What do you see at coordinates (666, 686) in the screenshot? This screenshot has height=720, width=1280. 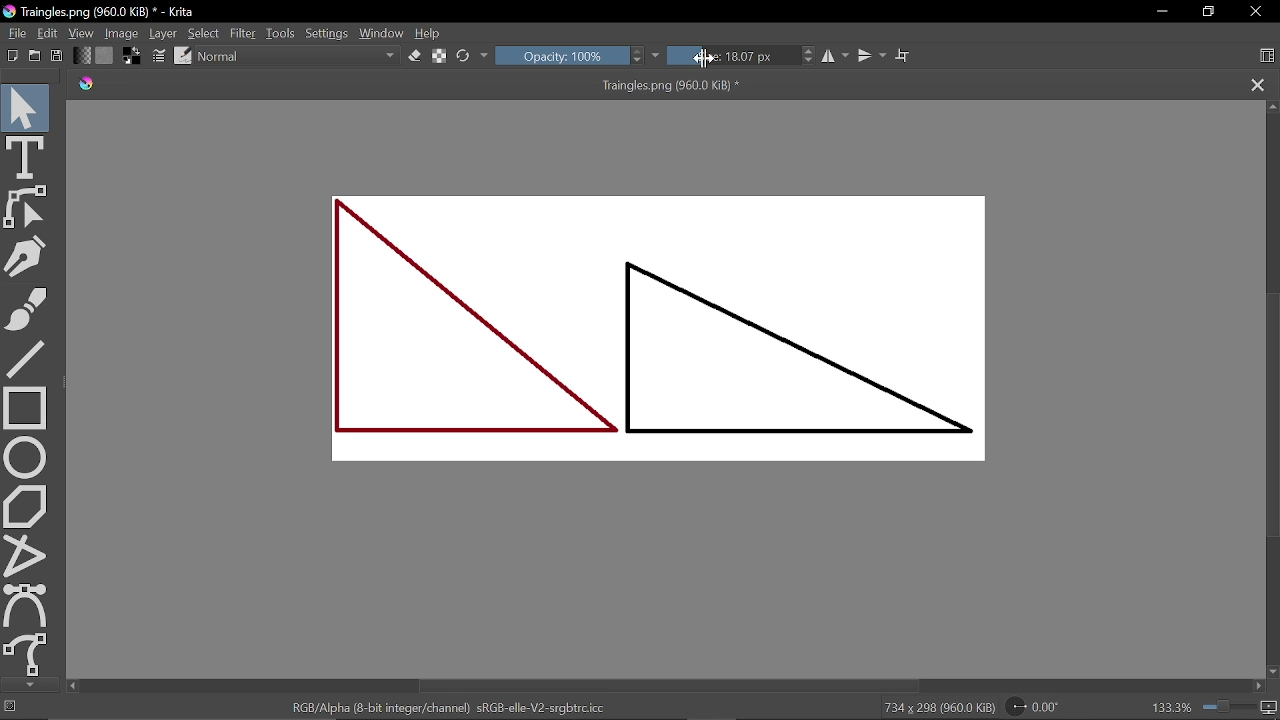 I see `Horizontal scrollbar` at bounding box center [666, 686].